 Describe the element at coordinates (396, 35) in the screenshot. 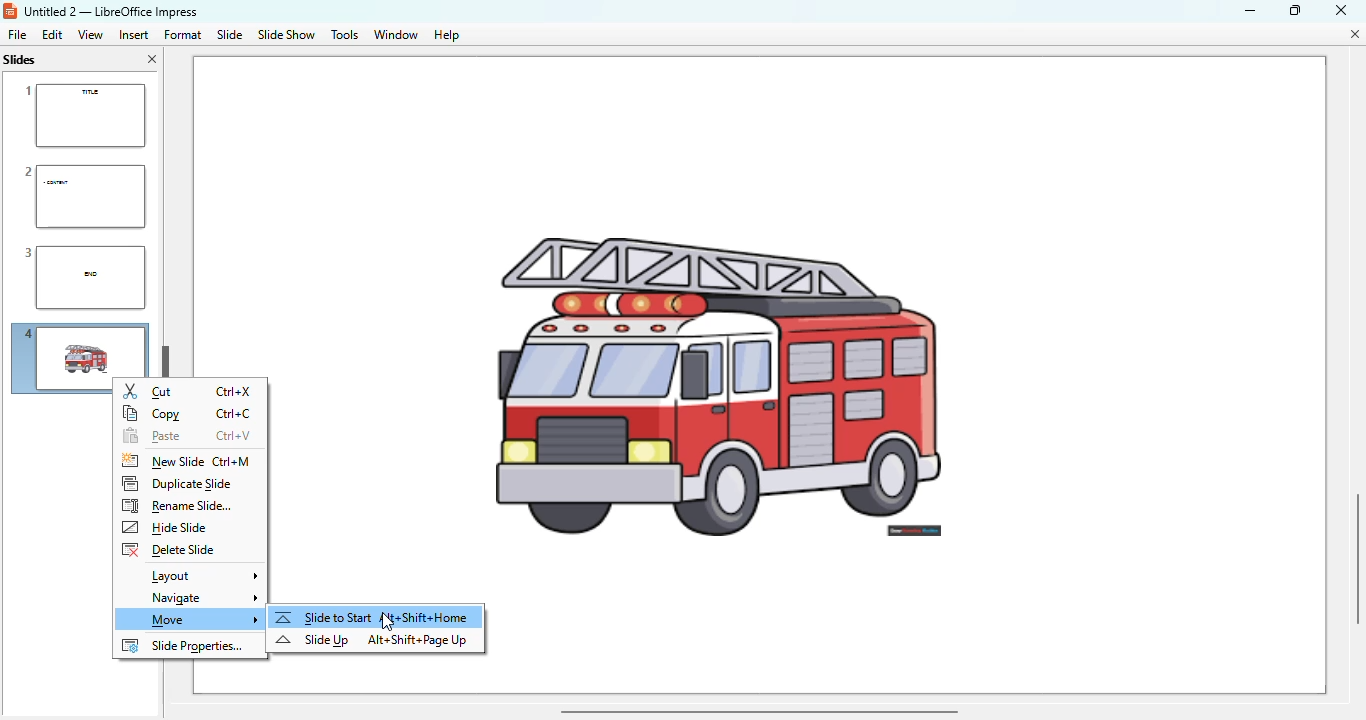

I see `window` at that location.